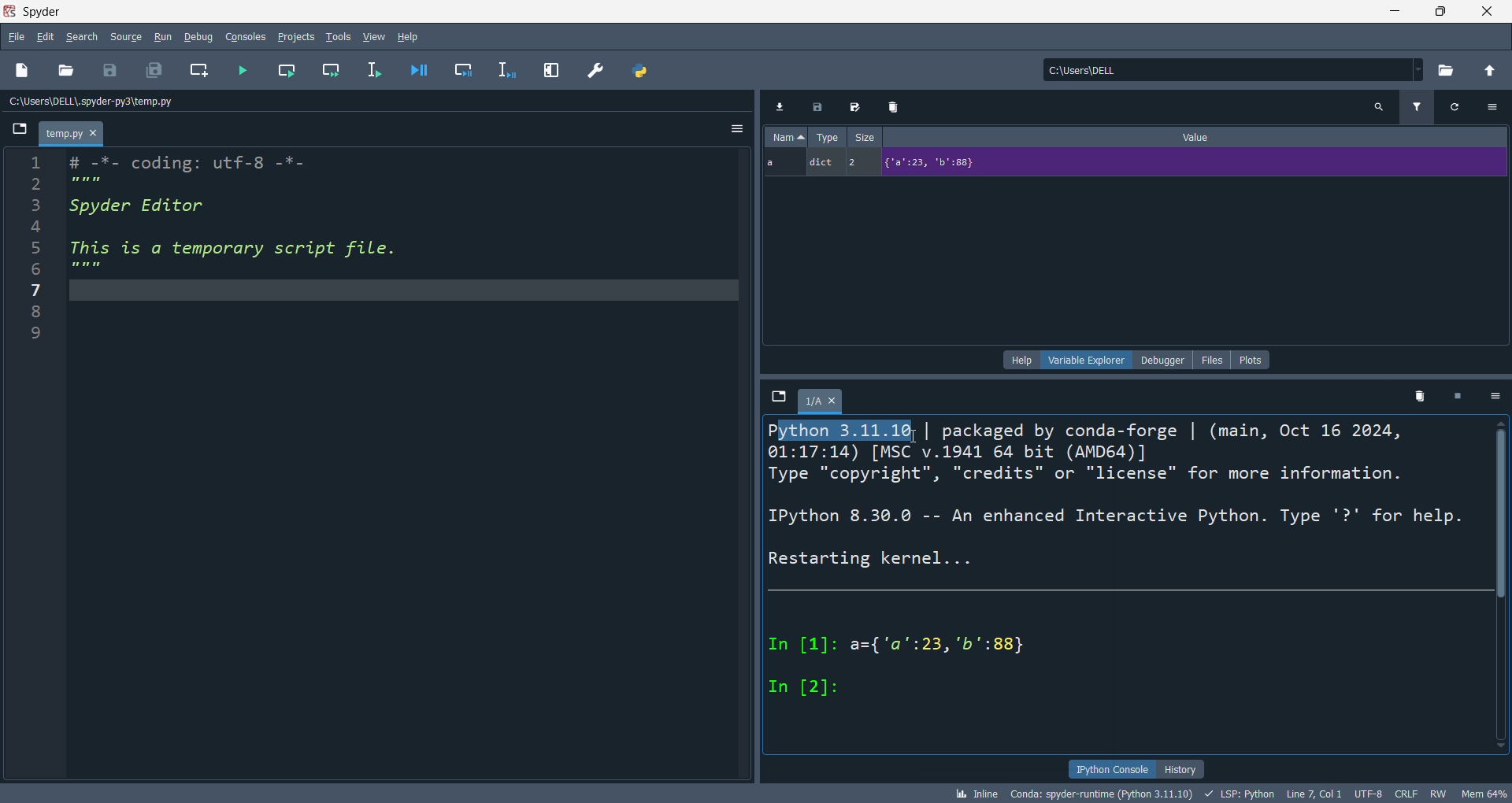 This screenshot has width=1512, height=803. Describe the element at coordinates (864, 135) in the screenshot. I see `size` at that location.